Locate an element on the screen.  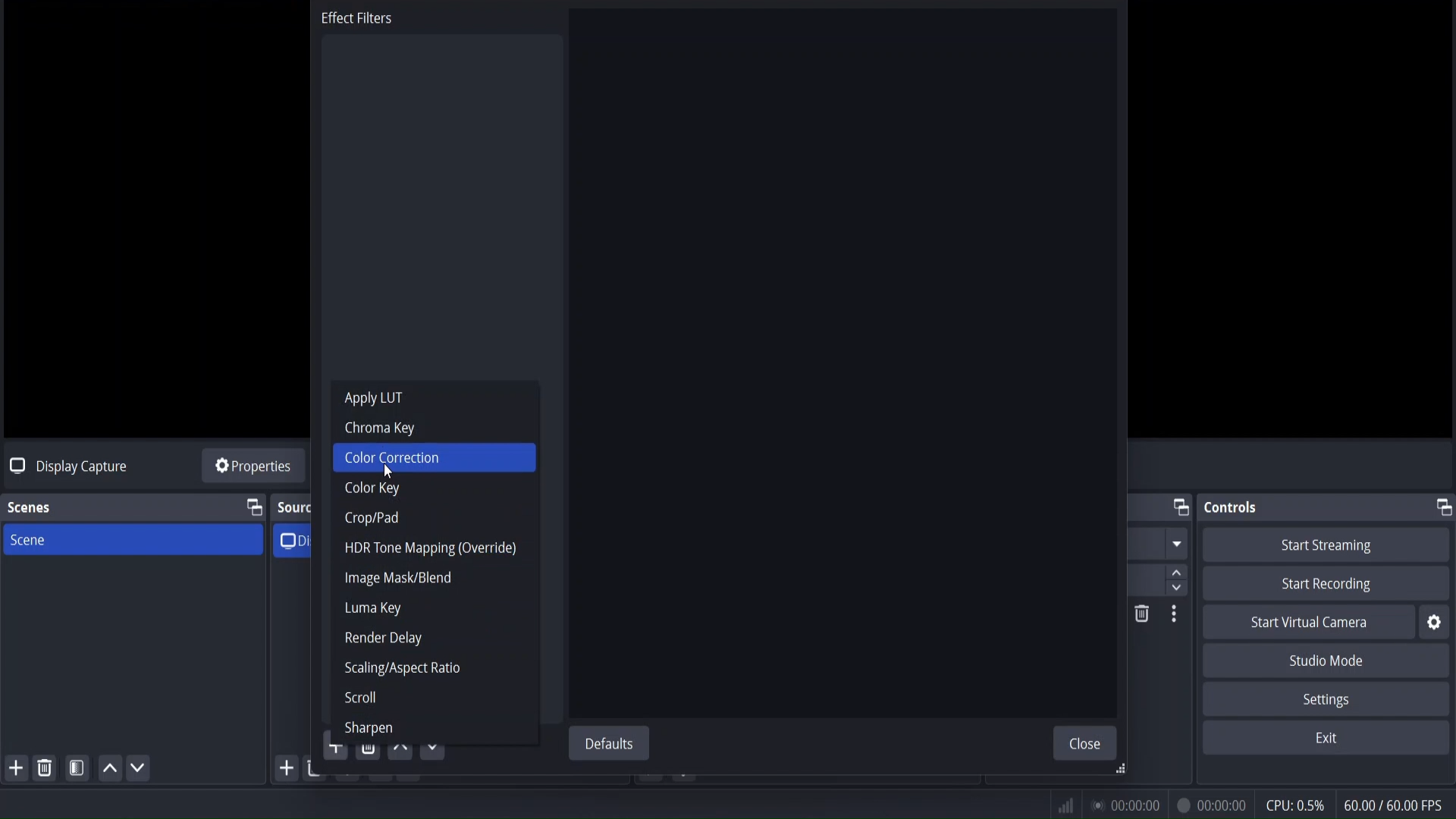
change tab layout is located at coordinates (253, 508).